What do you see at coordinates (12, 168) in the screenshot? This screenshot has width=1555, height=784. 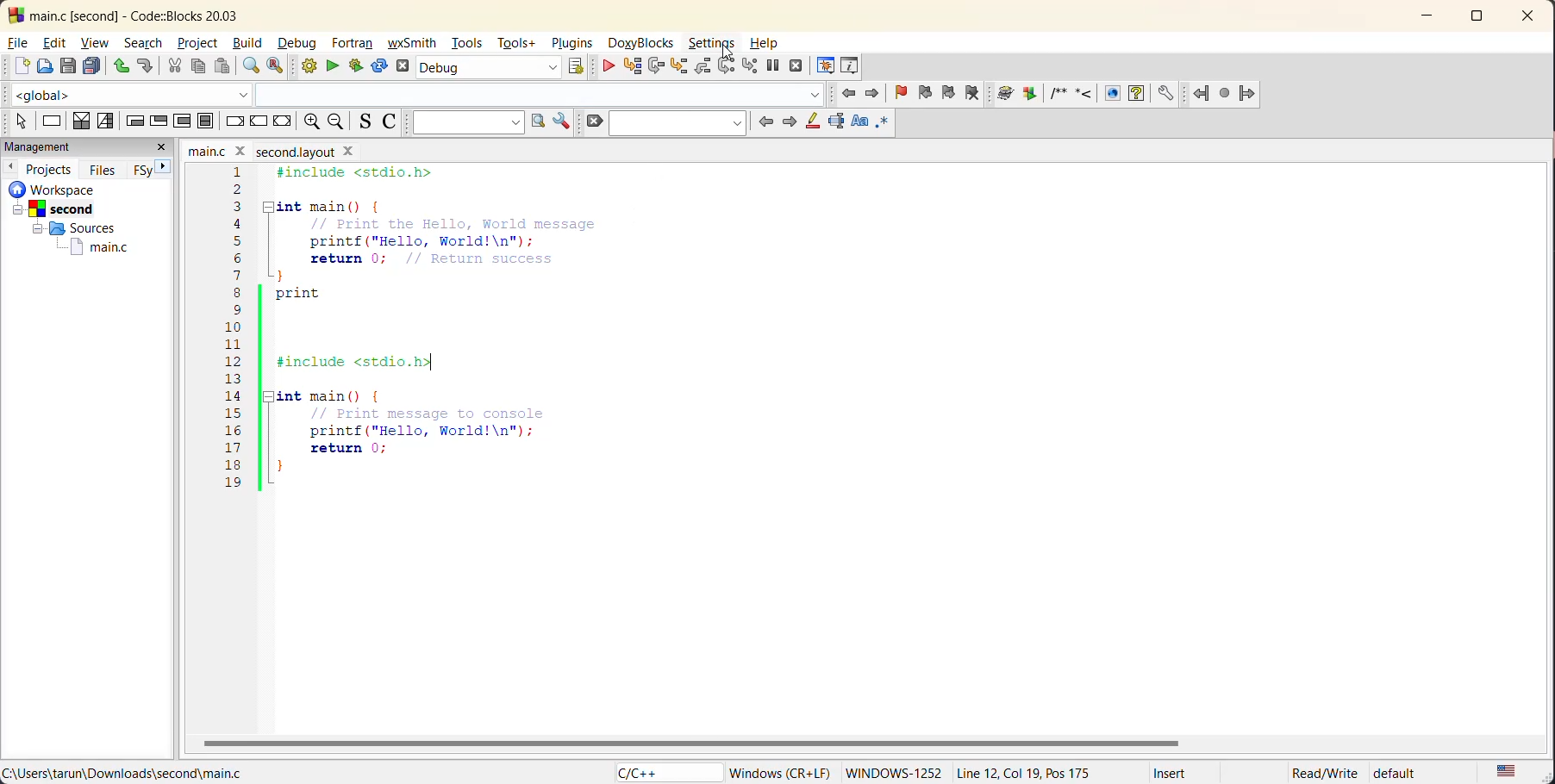 I see `previous` at bounding box center [12, 168].